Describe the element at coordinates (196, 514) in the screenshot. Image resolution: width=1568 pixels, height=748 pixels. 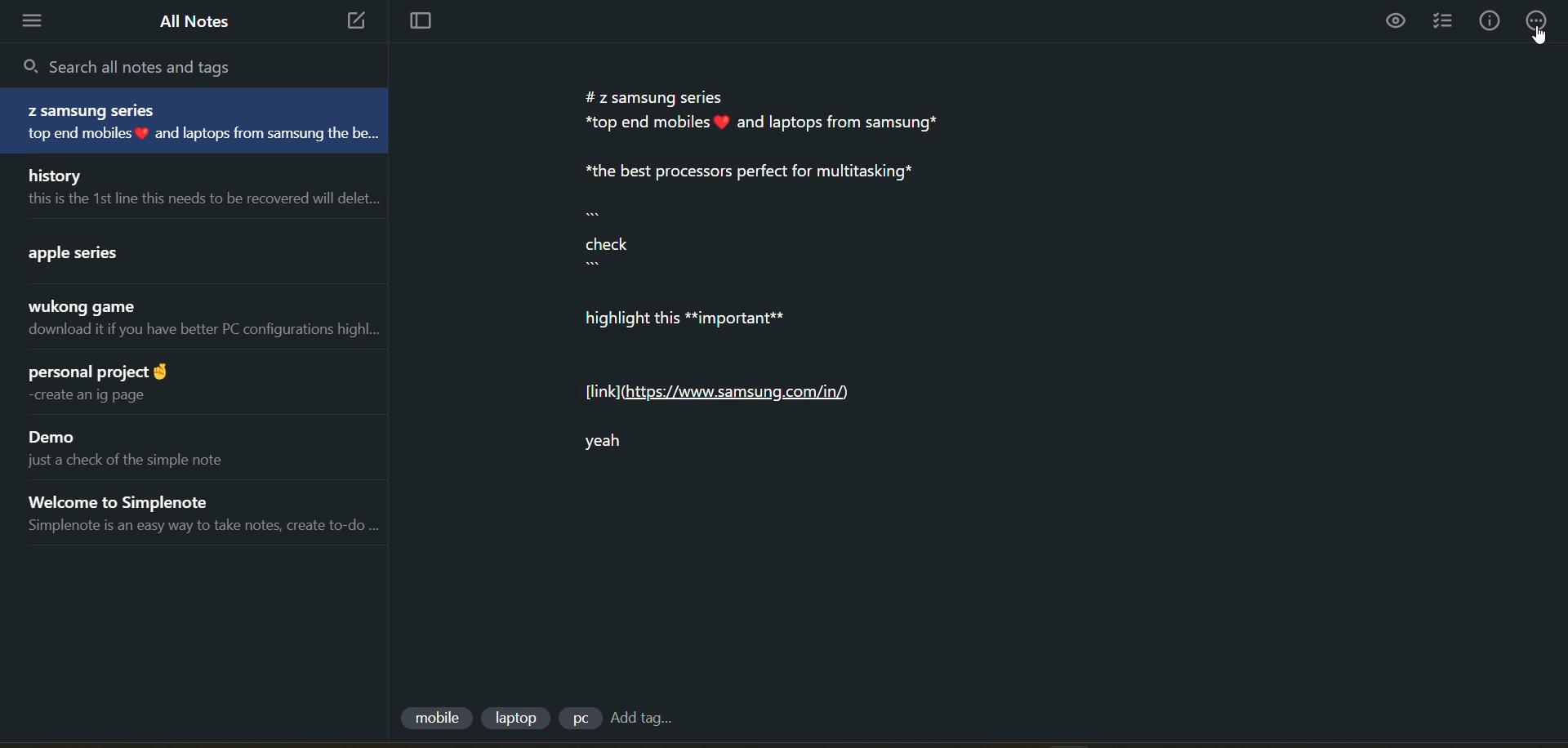
I see `note title and preview` at that location.